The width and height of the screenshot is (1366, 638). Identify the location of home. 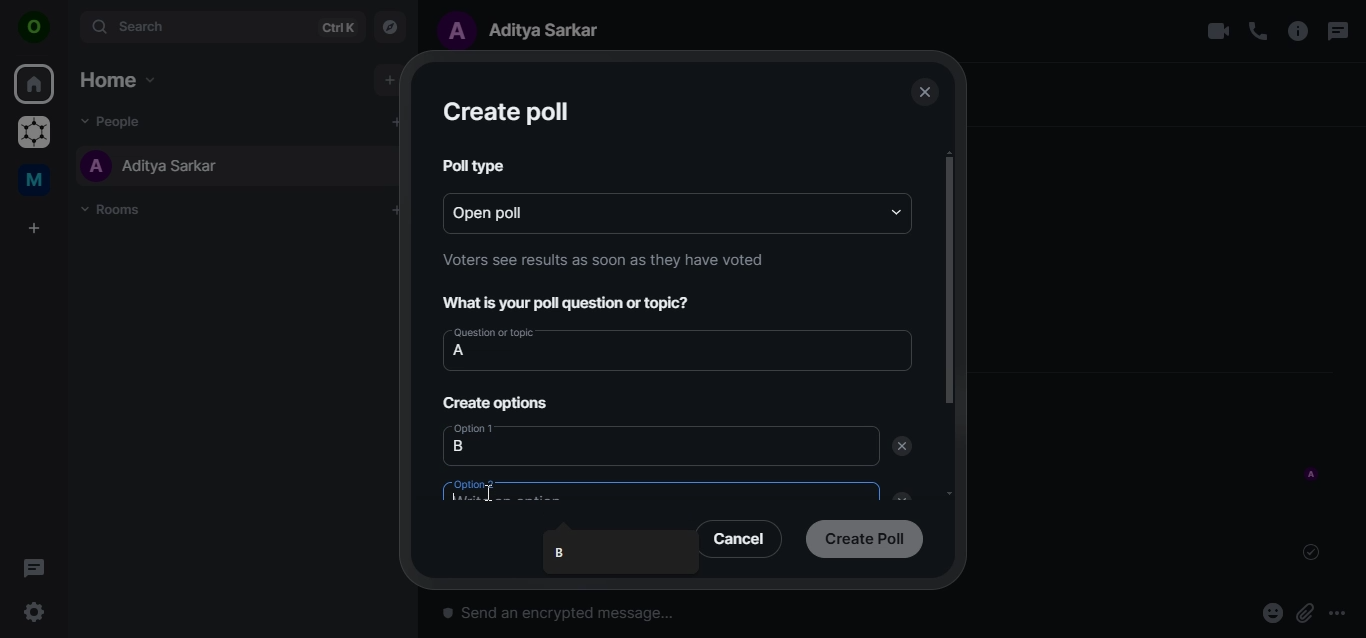
(116, 79).